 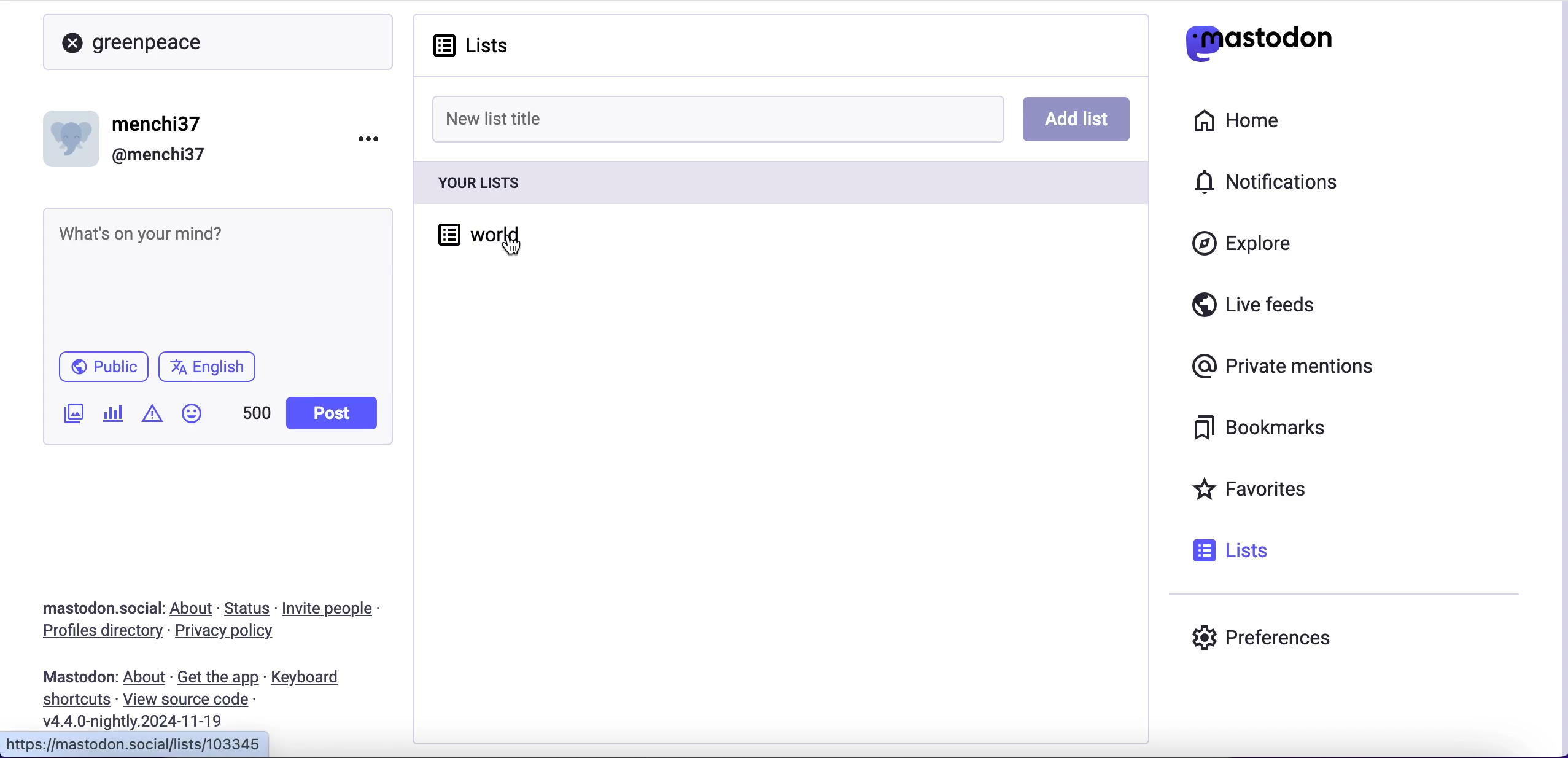 What do you see at coordinates (373, 138) in the screenshot?
I see `menu options` at bounding box center [373, 138].